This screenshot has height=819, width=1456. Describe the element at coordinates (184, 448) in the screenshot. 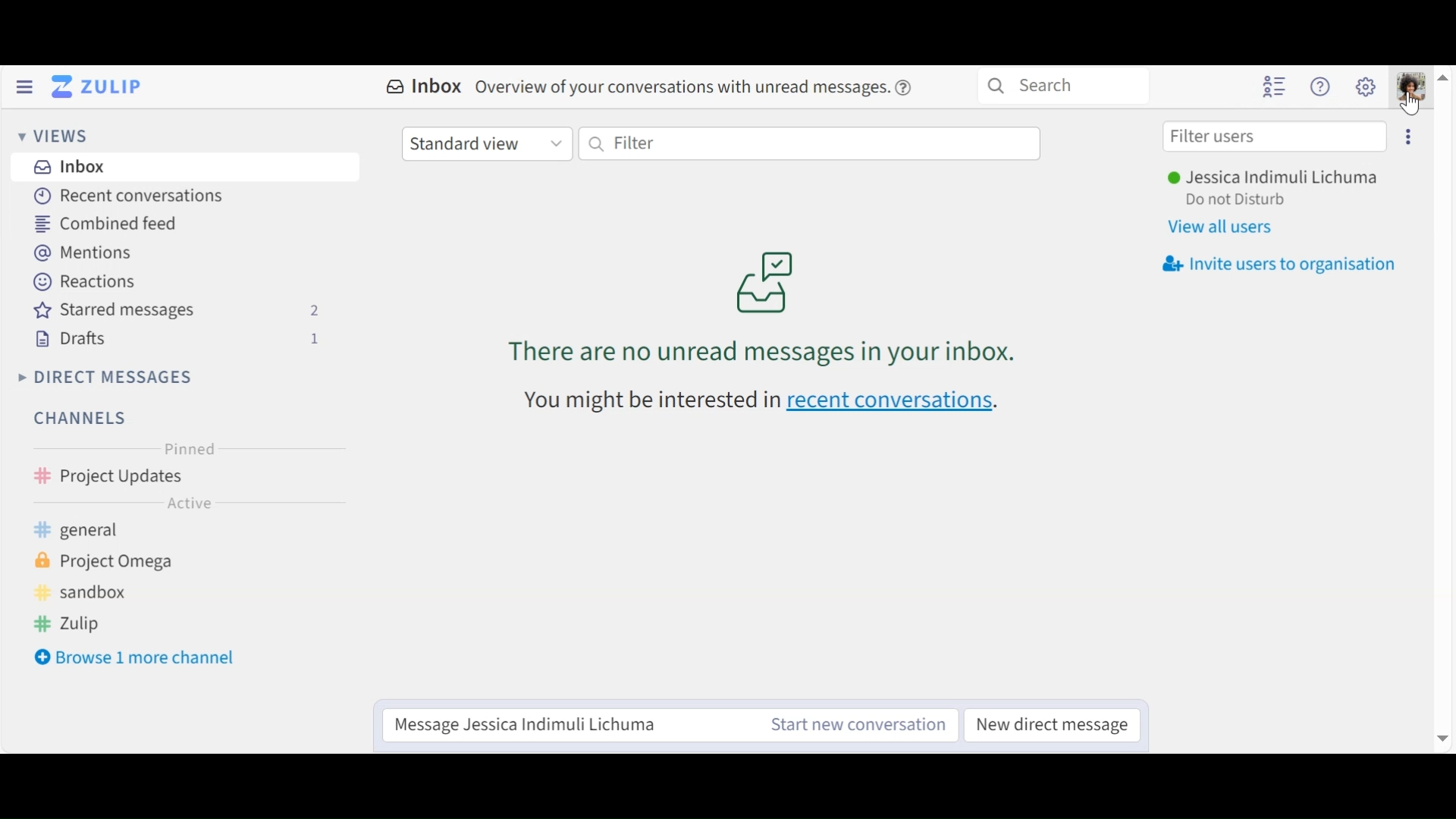

I see `Pinned` at that location.